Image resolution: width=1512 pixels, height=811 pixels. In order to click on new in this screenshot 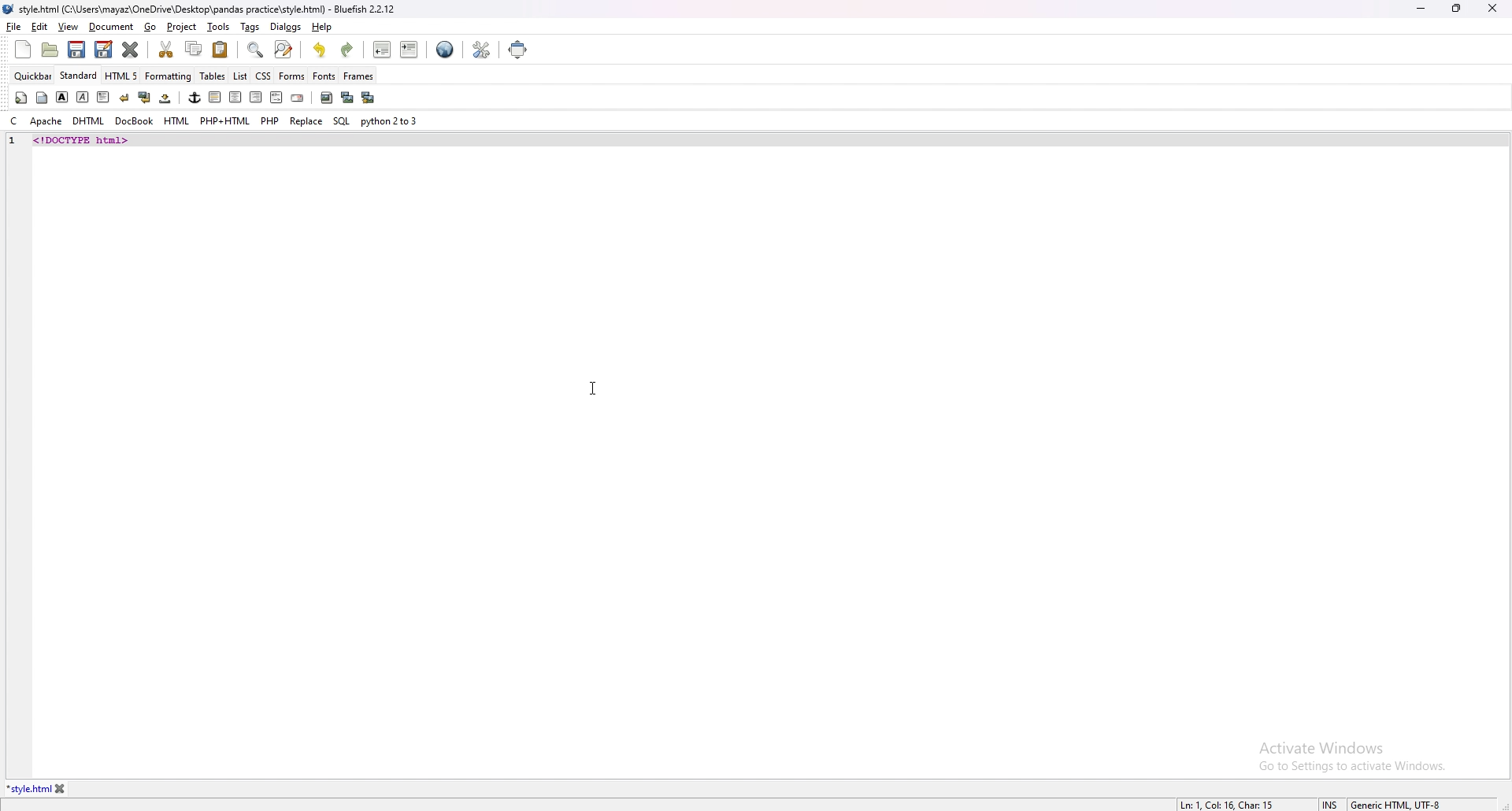, I will do `click(23, 50)`.